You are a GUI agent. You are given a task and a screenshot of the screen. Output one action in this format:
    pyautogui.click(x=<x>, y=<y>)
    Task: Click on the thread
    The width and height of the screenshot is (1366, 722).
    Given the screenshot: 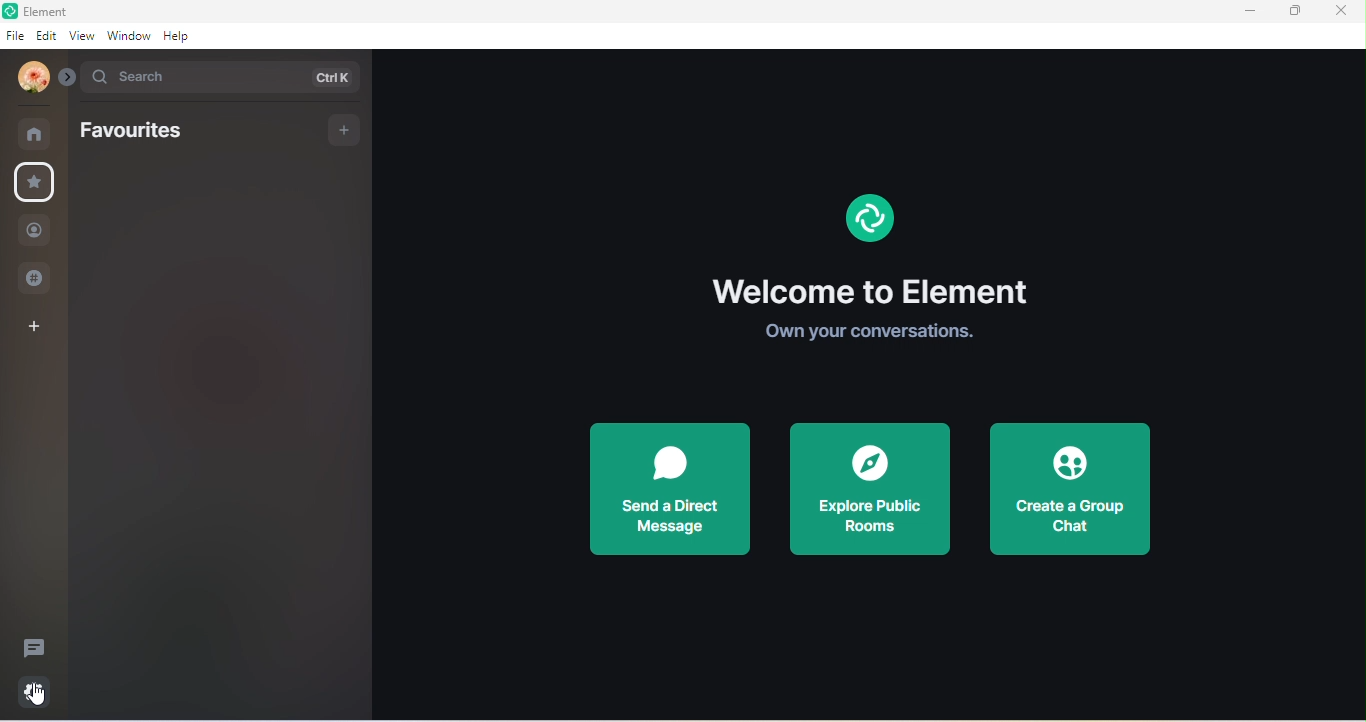 What is the action you would take?
    pyautogui.click(x=34, y=647)
    